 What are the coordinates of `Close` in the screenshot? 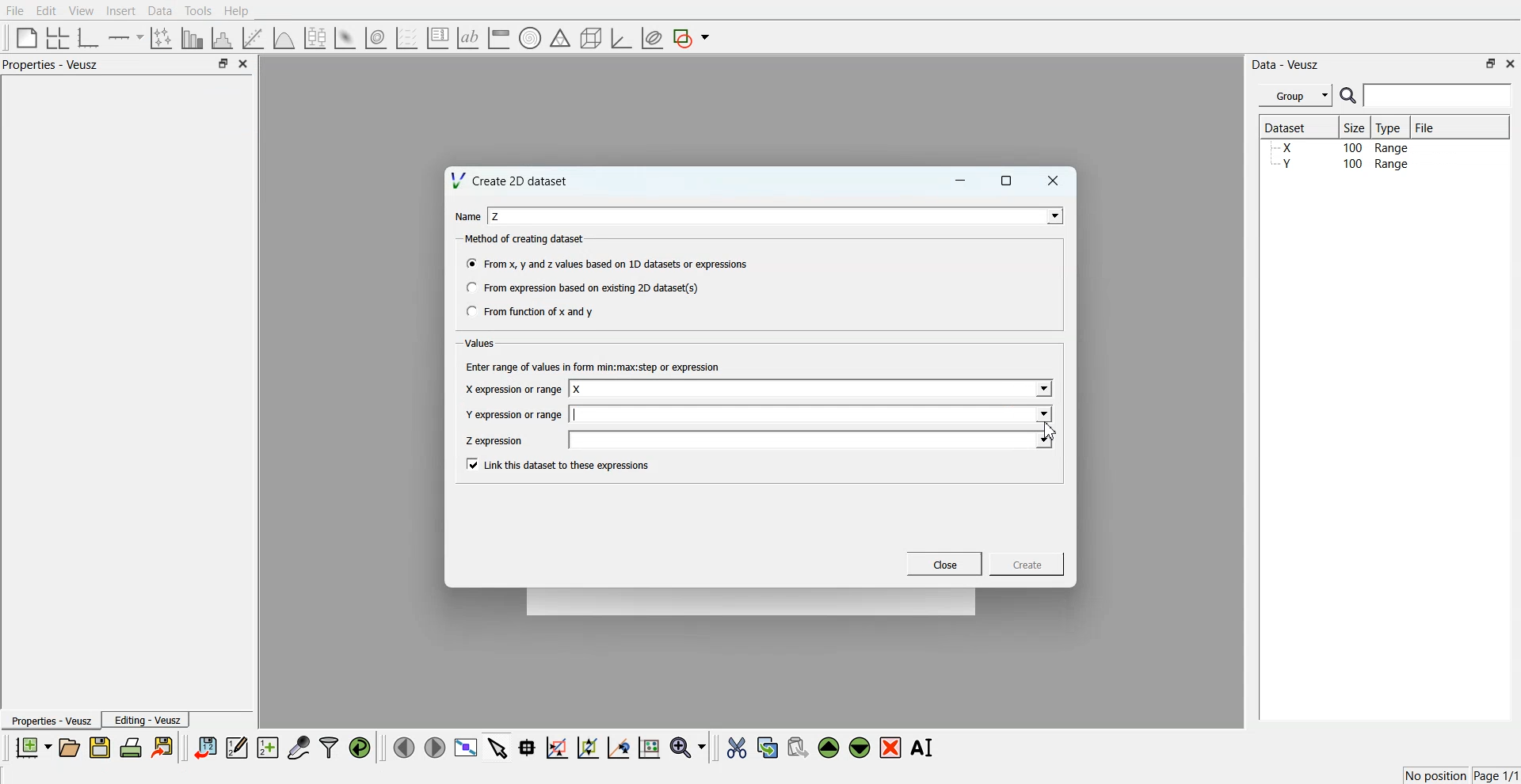 It's located at (1054, 181).